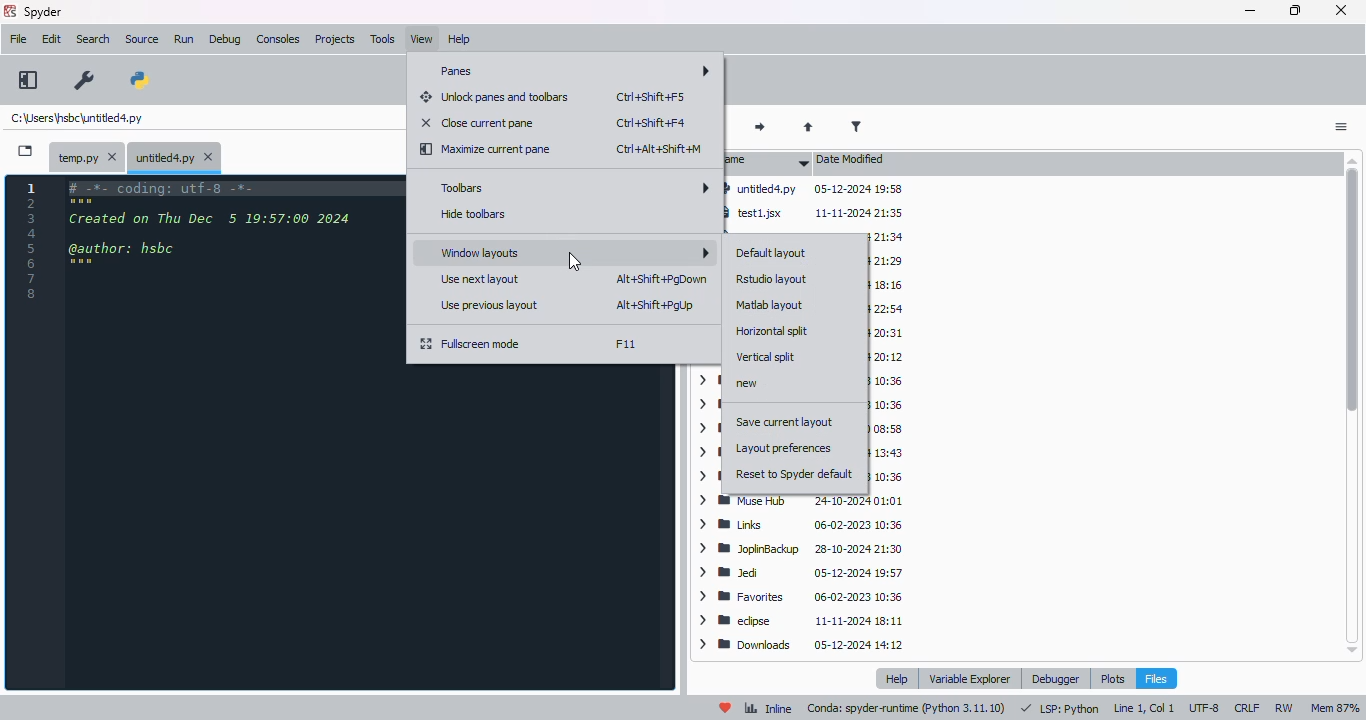 This screenshot has height=720, width=1366. Describe the element at coordinates (851, 158) in the screenshot. I see `date modified` at that location.